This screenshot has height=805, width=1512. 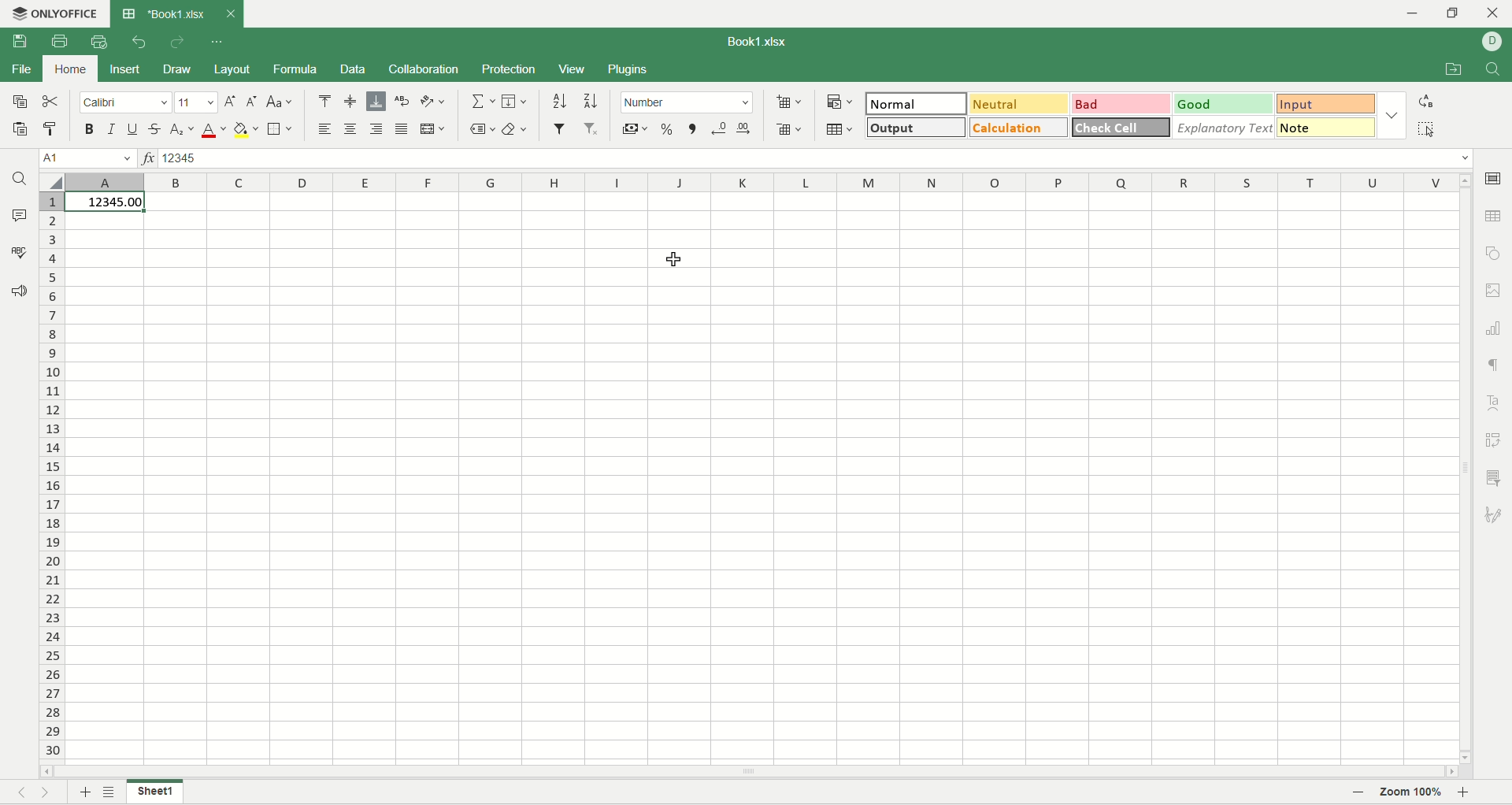 What do you see at coordinates (561, 102) in the screenshot?
I see `sort ascending` at bounding box center [561, 102].